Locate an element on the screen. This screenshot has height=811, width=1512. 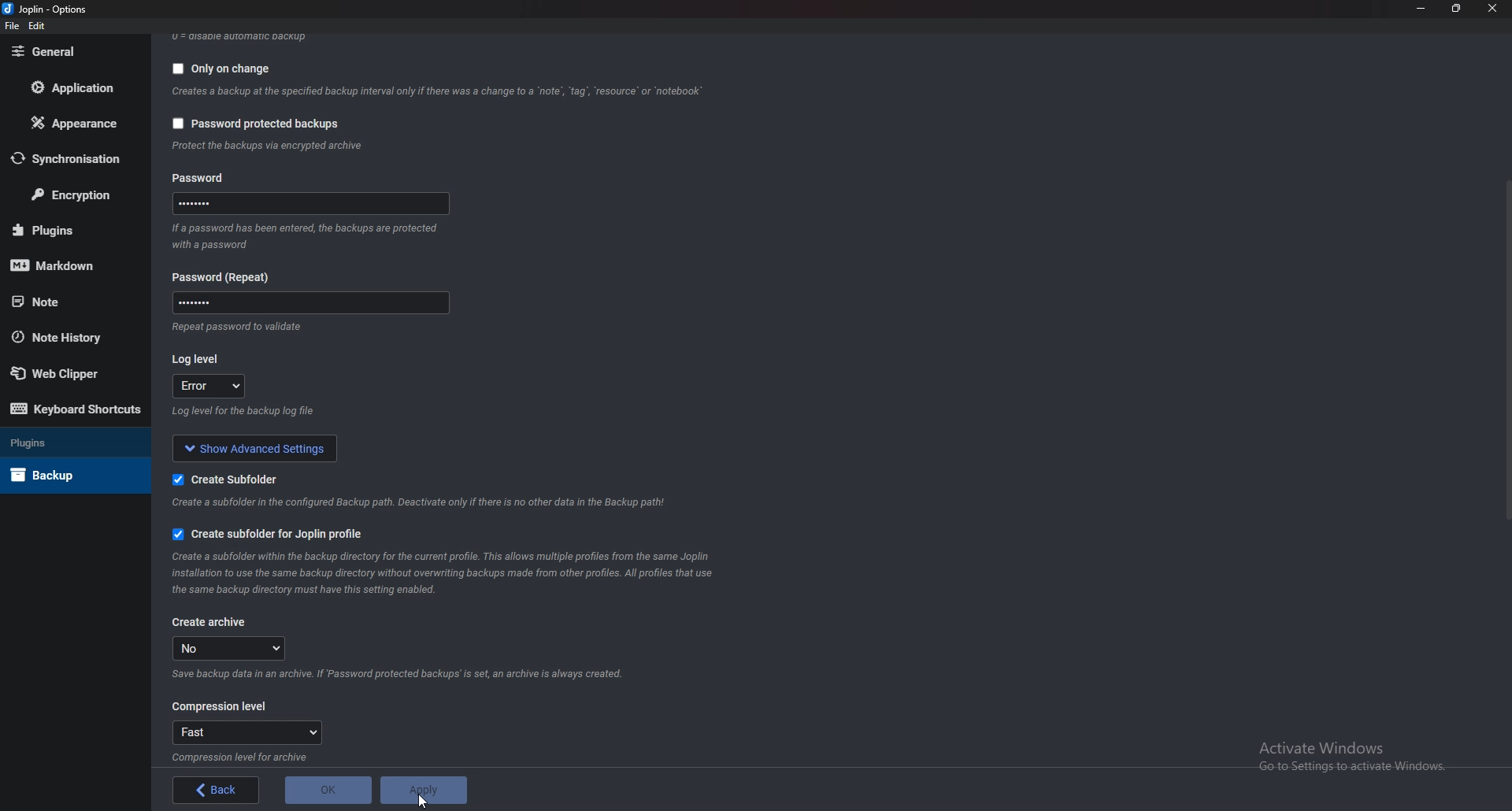
Appearance is located at coordinates (74, 124).